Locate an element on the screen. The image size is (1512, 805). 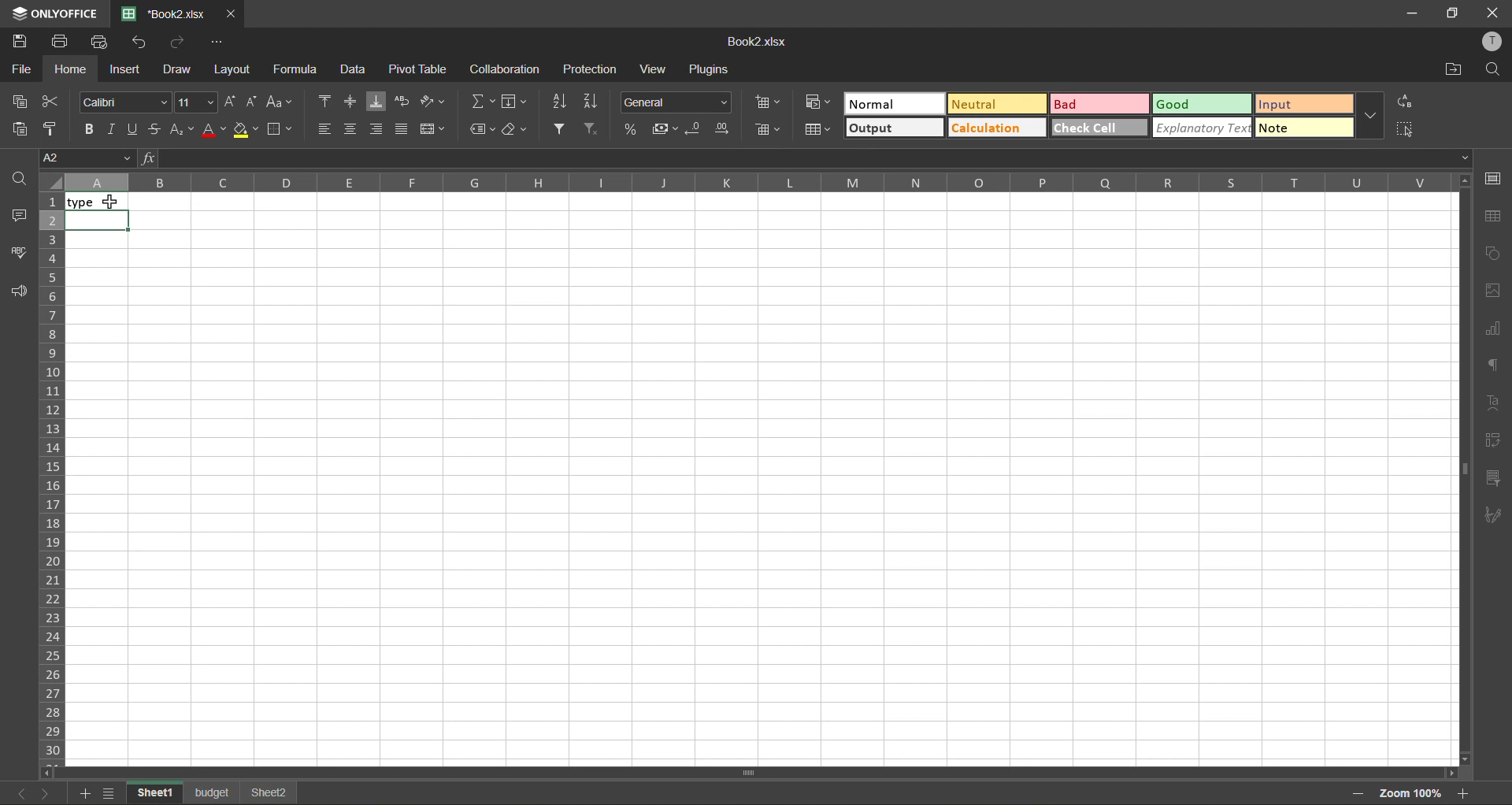
feedback is located at coordinates (18, 293).